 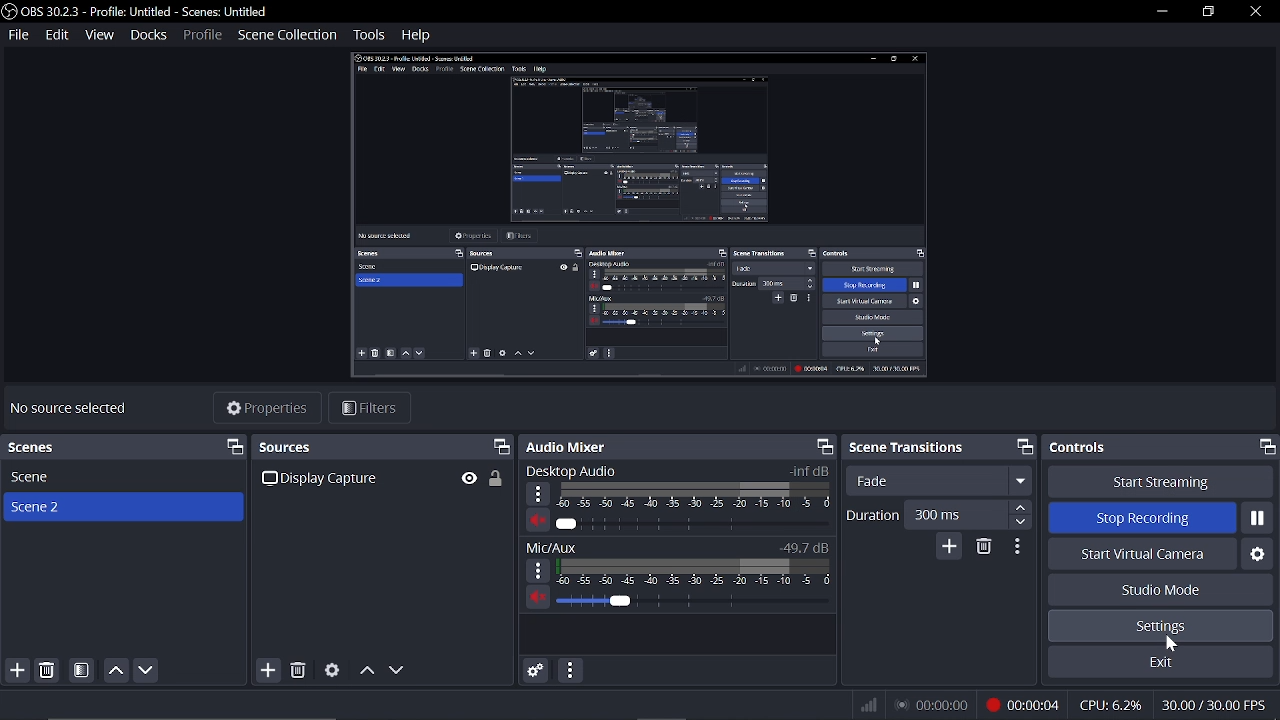 What do you see at coordinates (694, 495) in the screenshot?
I see `desktop audio display` at bounding box center [694, 495].